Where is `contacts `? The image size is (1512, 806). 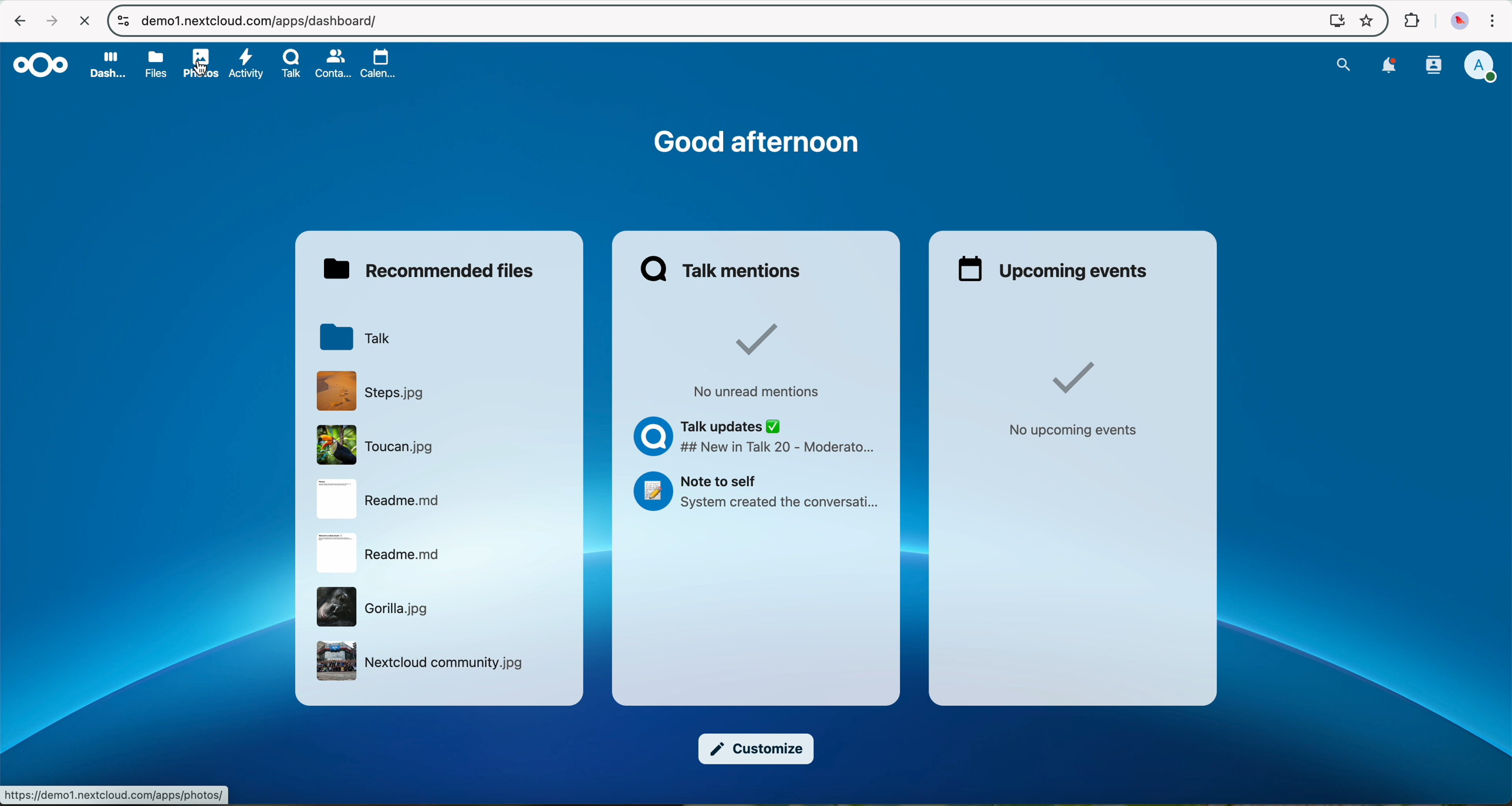 contacts  is located at coordinates (331, 62).